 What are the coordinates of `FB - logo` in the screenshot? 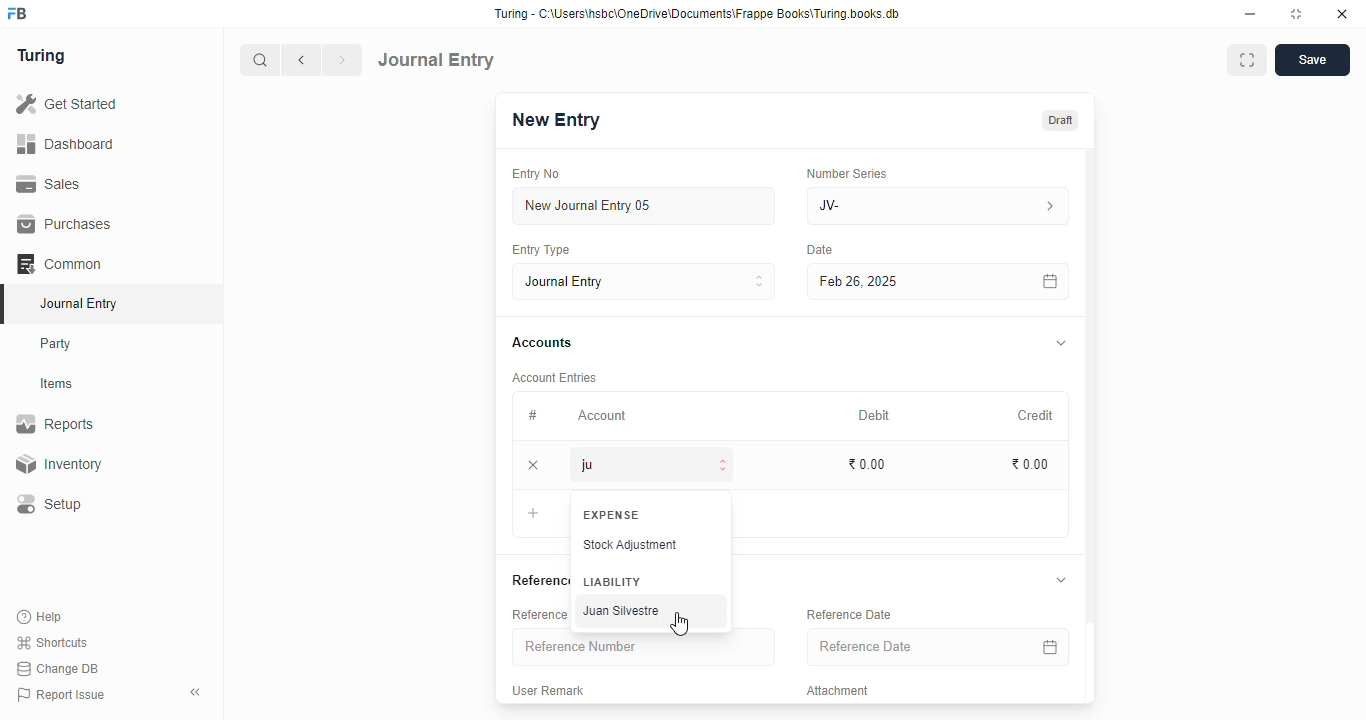 It's located at (17, 13).